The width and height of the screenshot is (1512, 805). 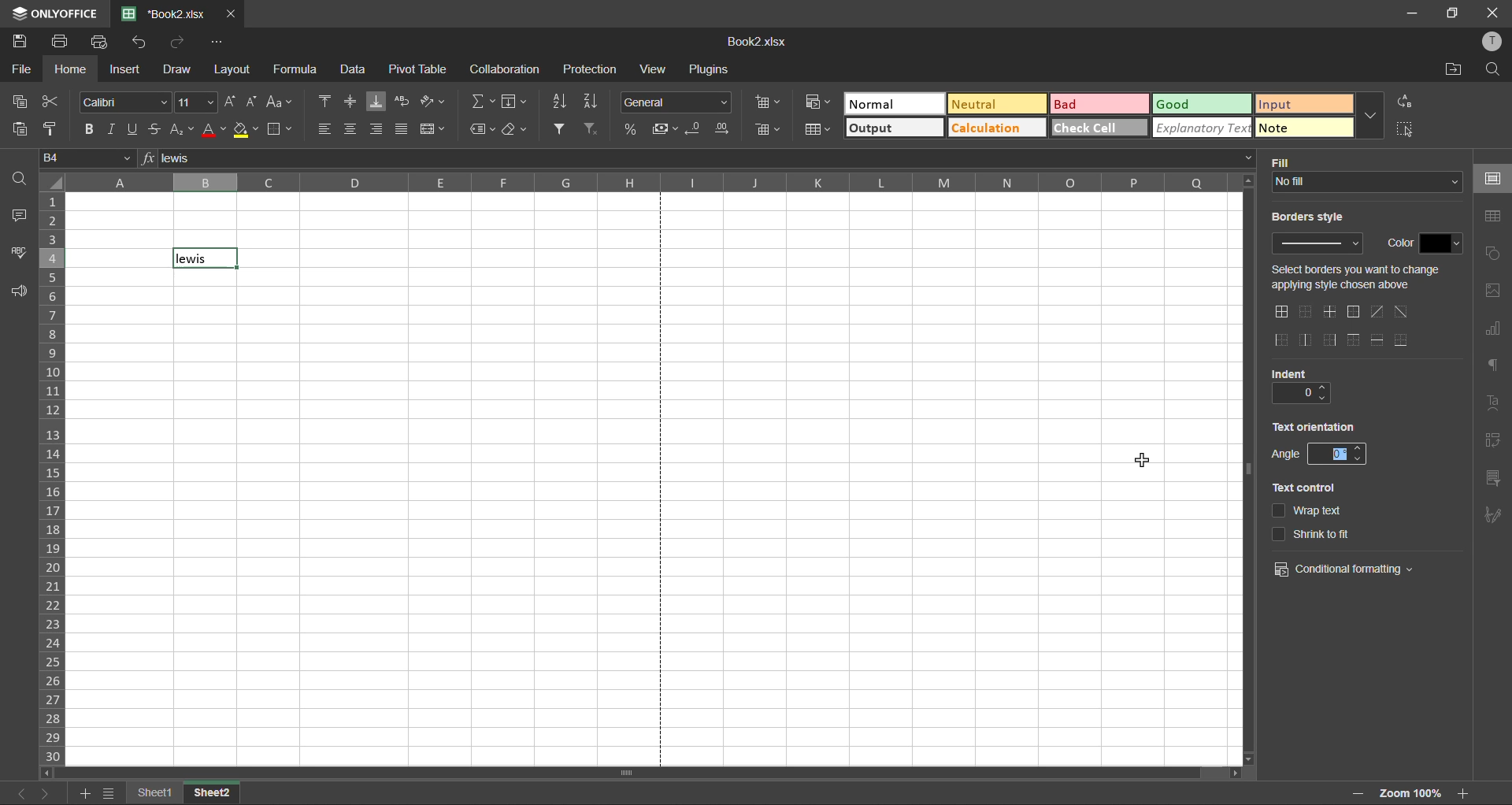 I want to click on wrap text, so click(x=401, y=102).